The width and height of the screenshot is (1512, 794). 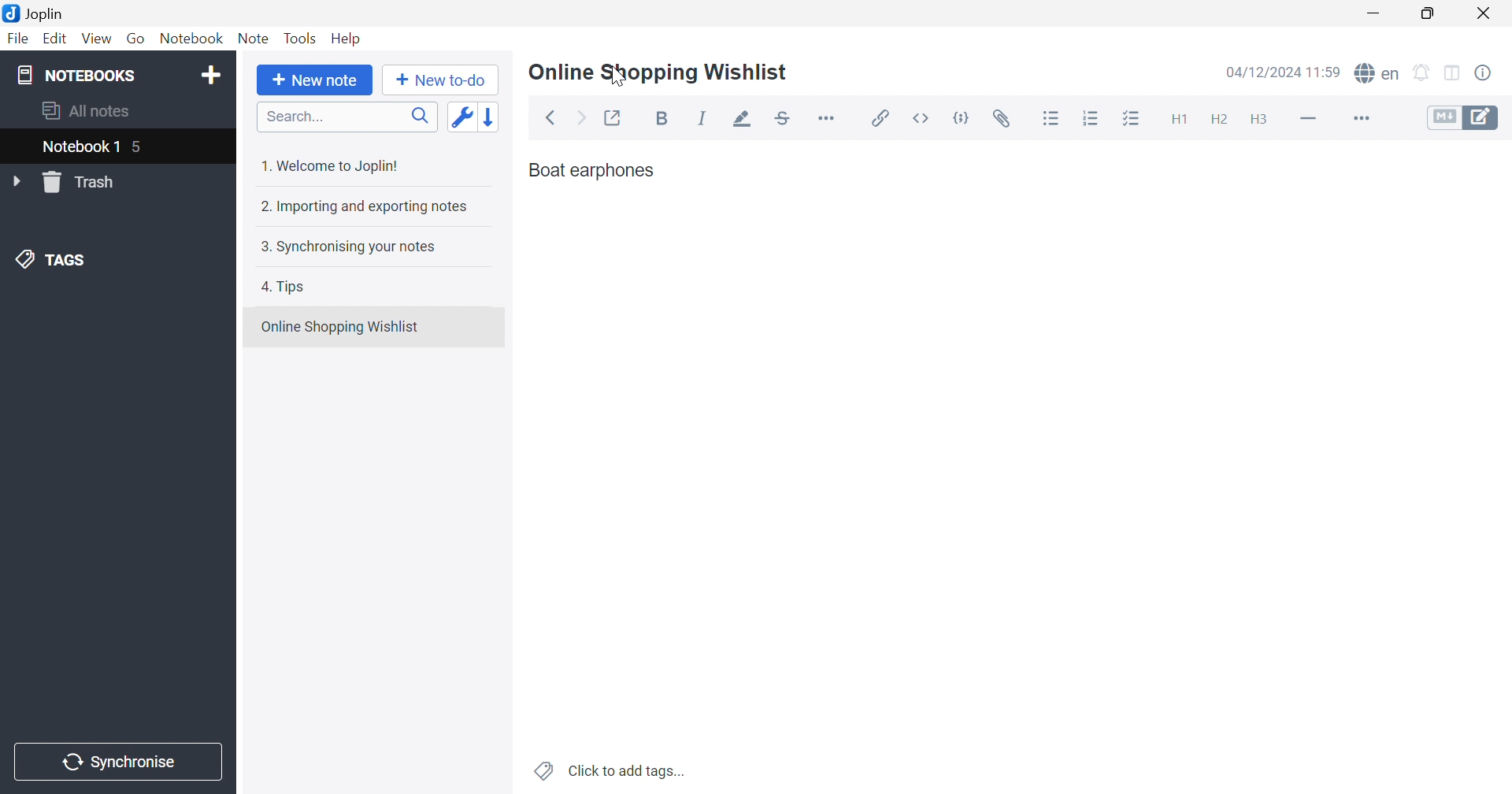 What do you see at coordinates (84, 183) in the screenshot?
I see `Trash` at bounding box center [84, 183].